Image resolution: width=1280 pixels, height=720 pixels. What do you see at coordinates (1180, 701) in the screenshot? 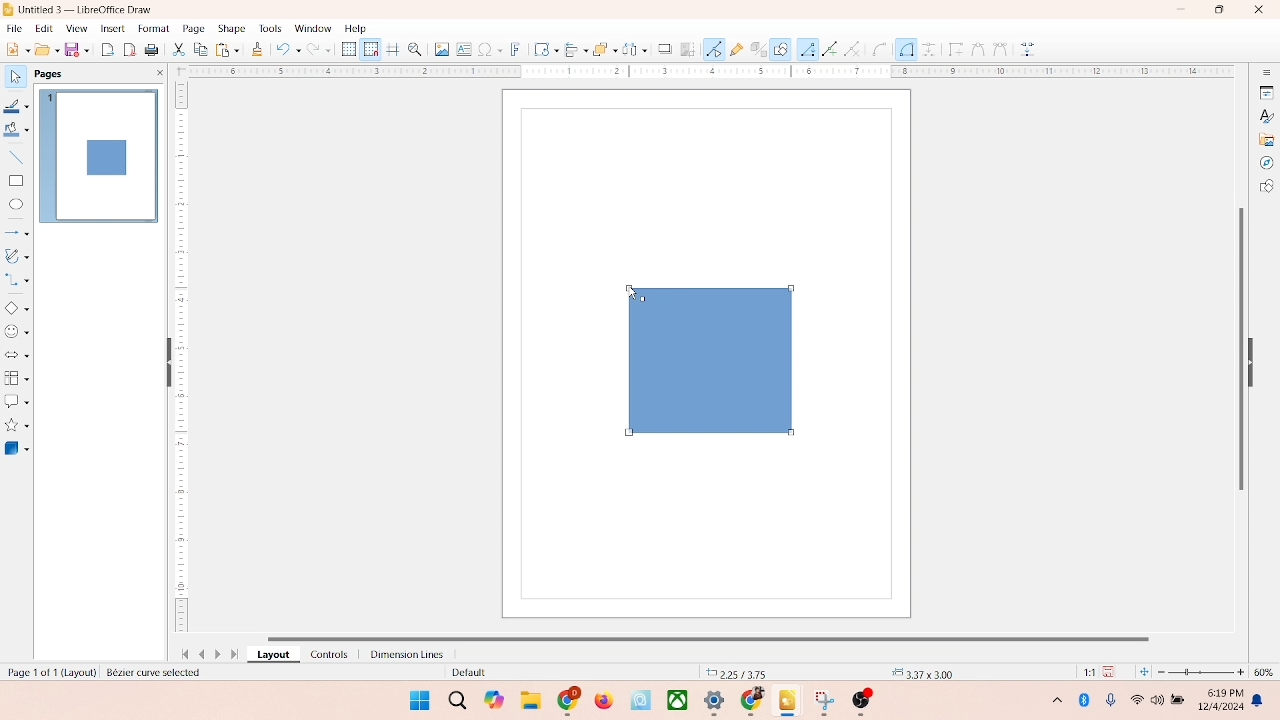
I see `battery` at bounding box center [1180, 701].